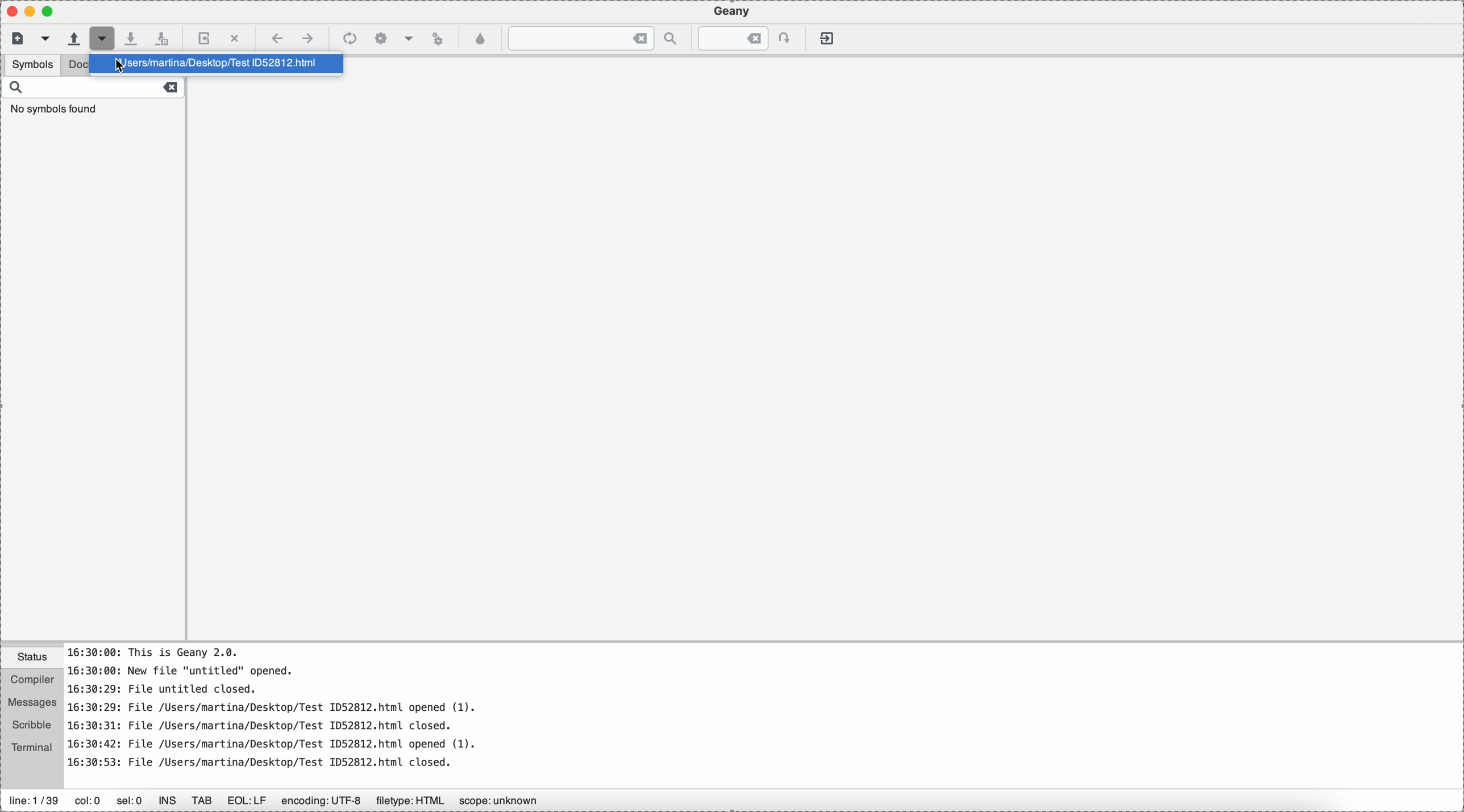 Image resolution: width=1464 pixels, height=812 pixels. What do you see at coordinates (592, 39) in the screenshot?
I see `find the entered text in the current file` at bounding box center [592, 39].